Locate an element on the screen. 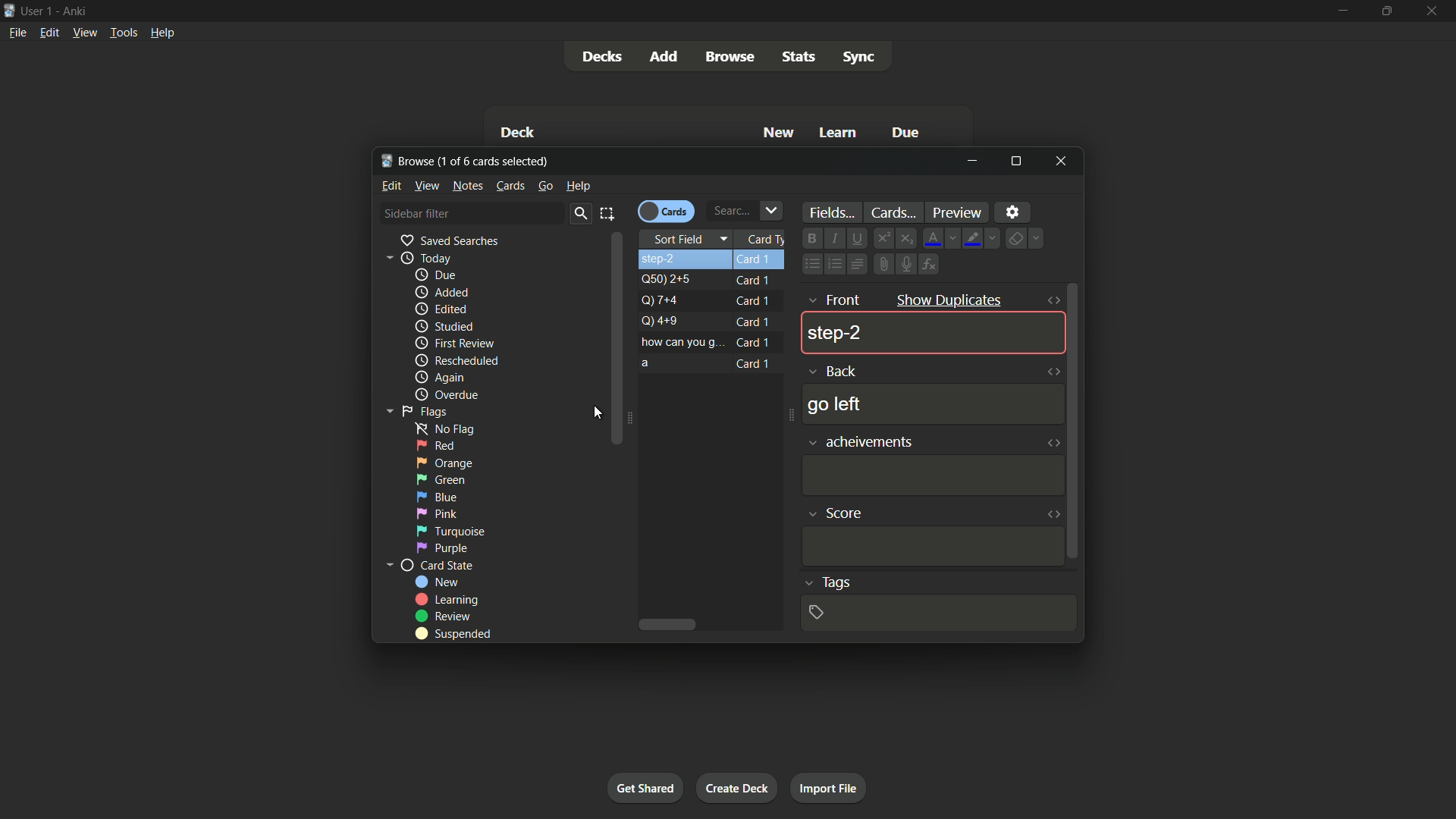  Review is located at coordinates (445, 616).